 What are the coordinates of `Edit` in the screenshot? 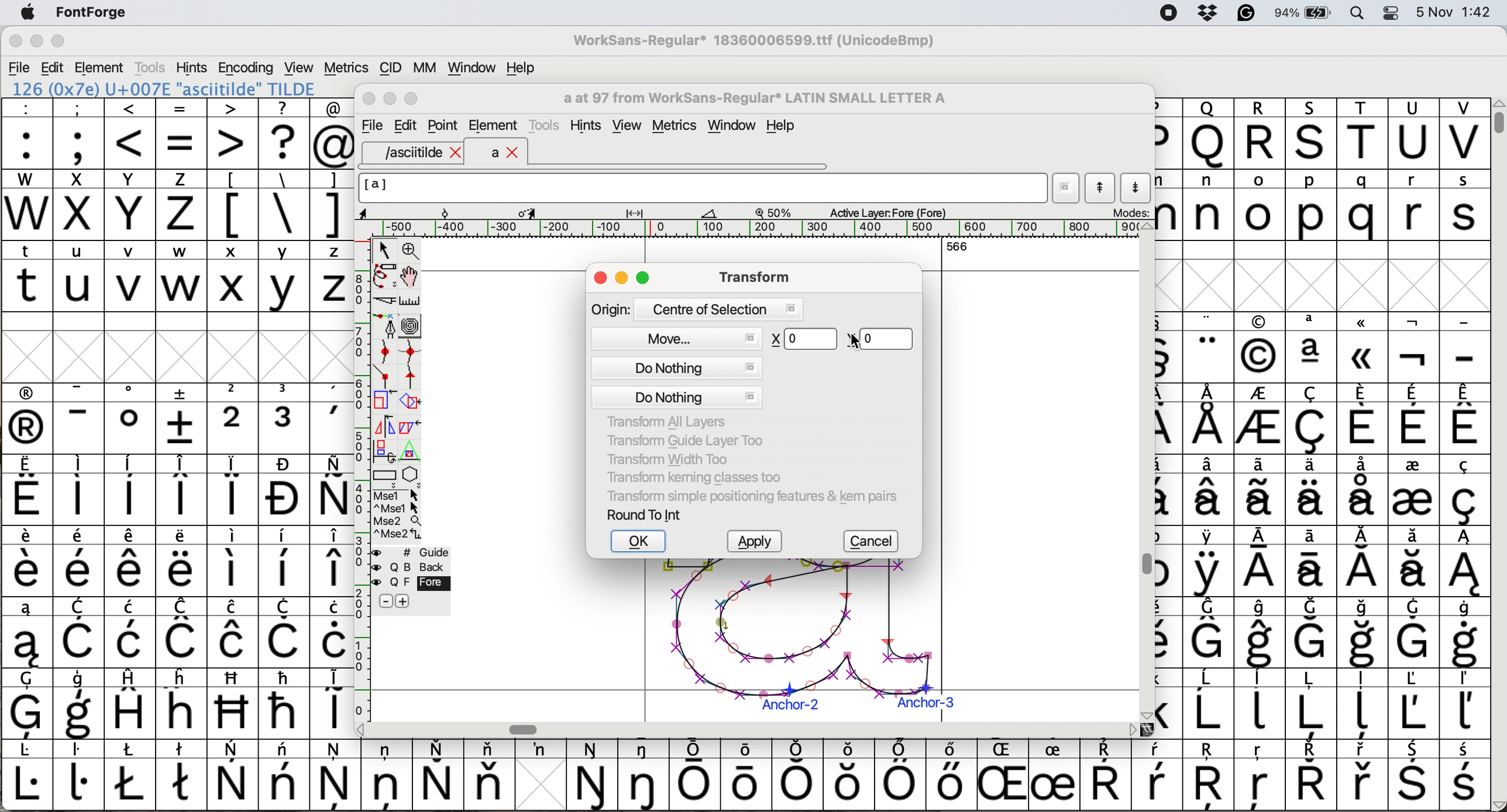 It's located at (405, 125).